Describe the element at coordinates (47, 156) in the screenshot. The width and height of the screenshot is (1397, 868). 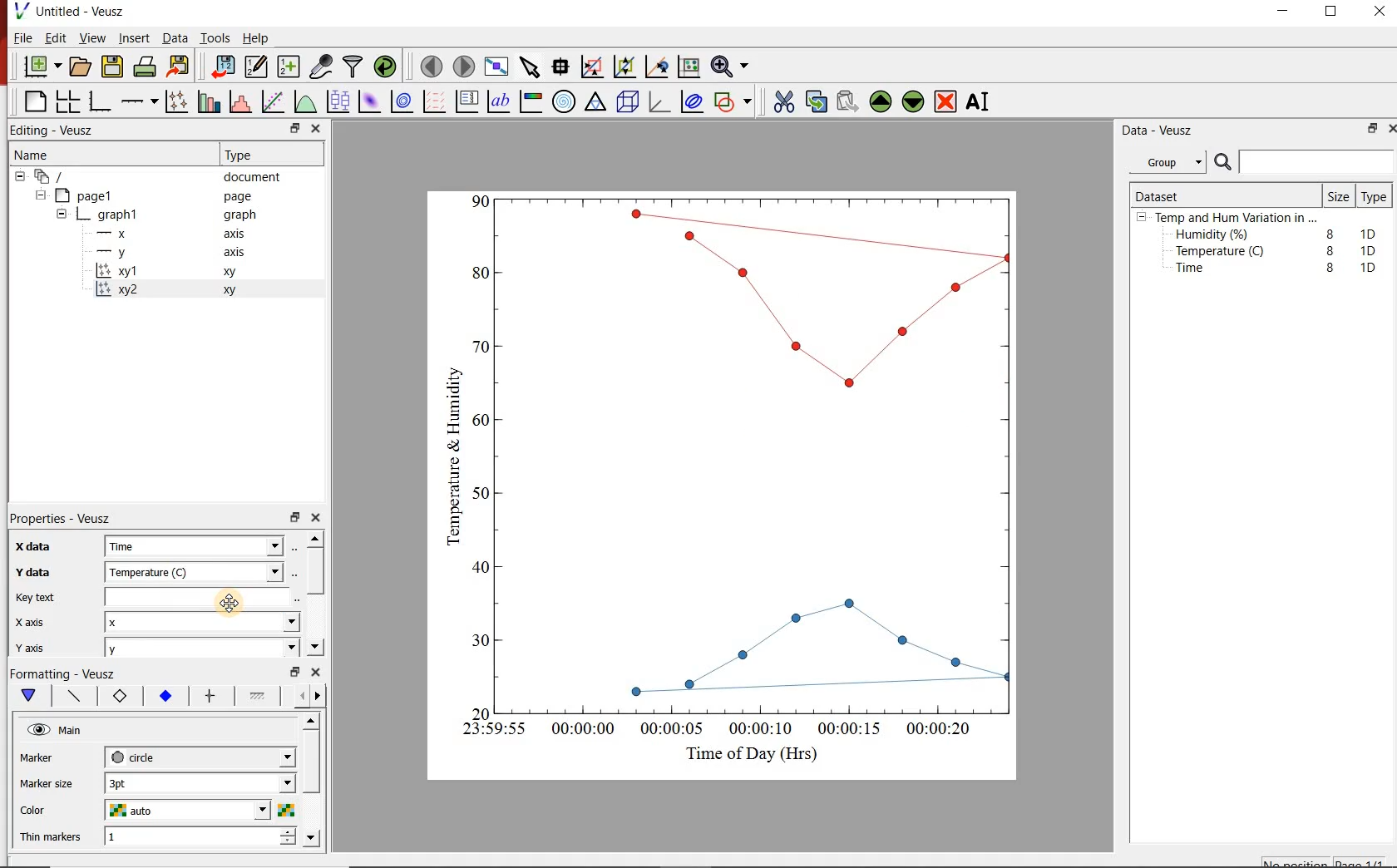
I see `Name` at that location.